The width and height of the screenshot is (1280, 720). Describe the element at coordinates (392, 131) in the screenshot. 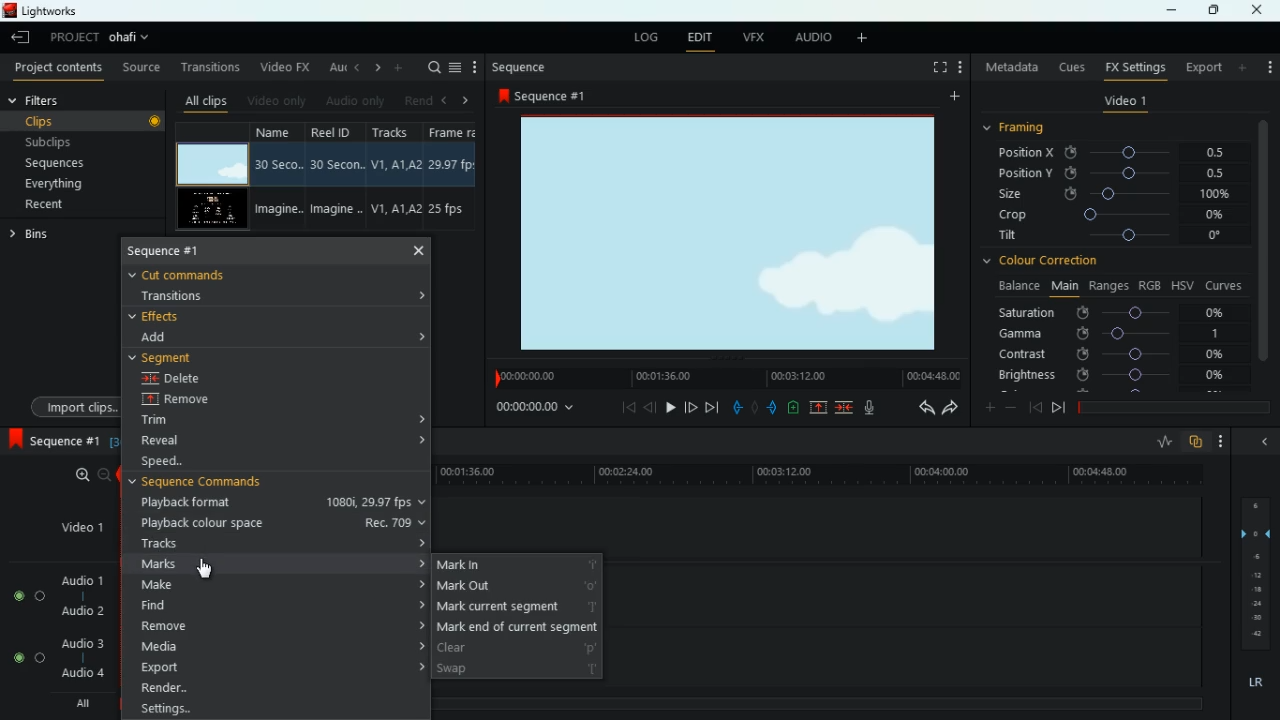

I see `tracks` at that location.